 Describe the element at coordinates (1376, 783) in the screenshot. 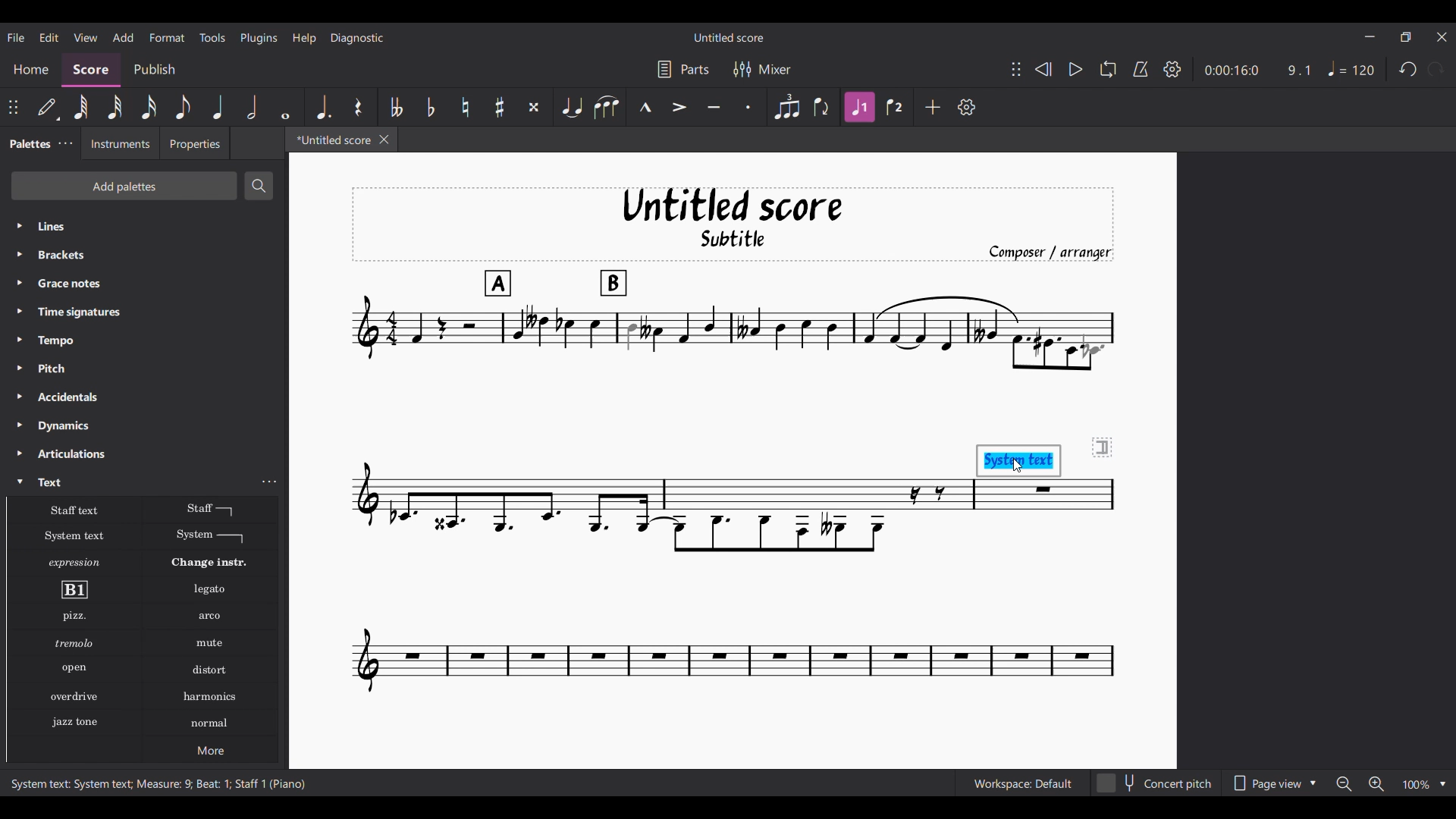

I see `Zoom in` at that location.